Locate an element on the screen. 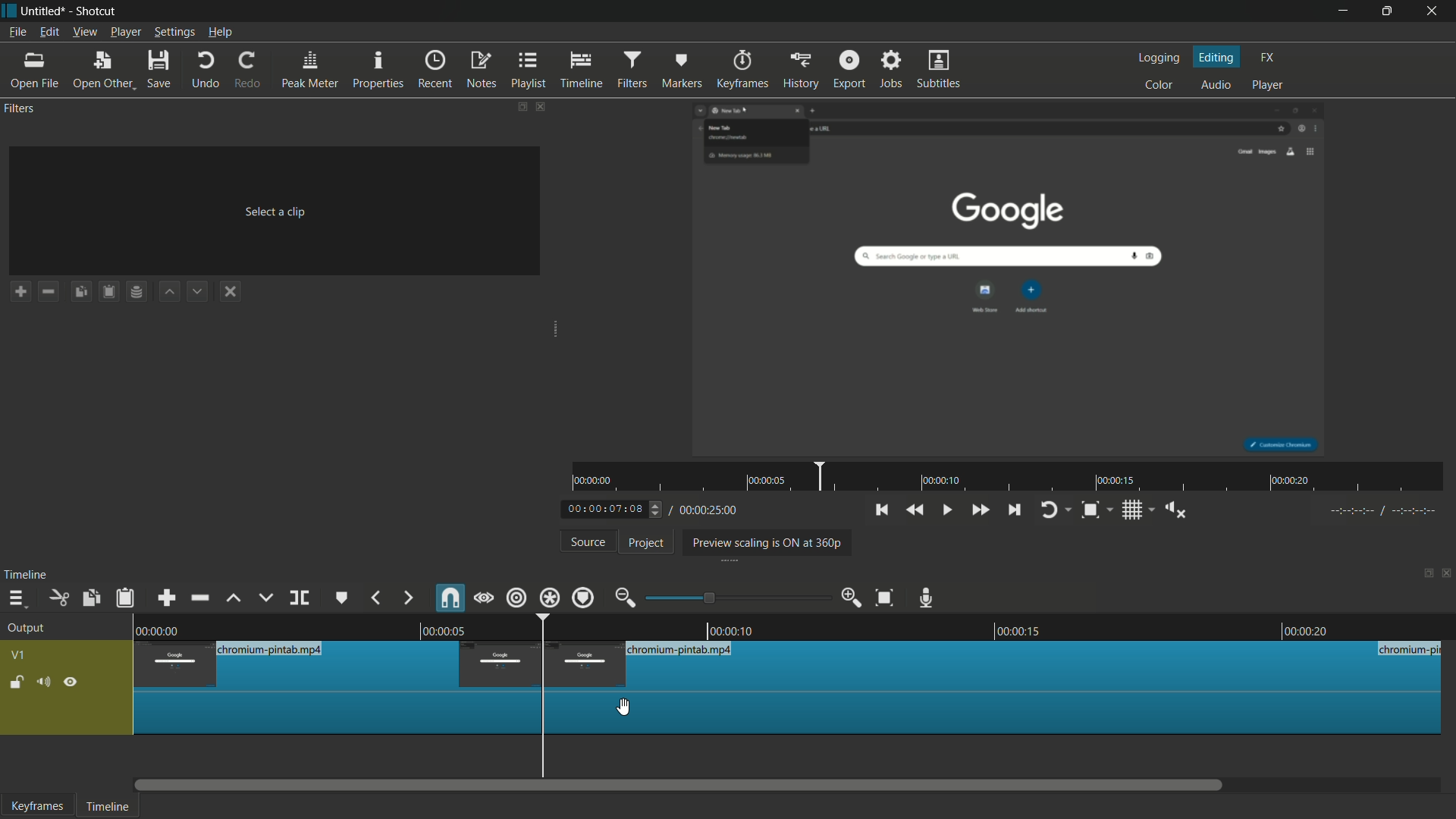 Image resolution: width=1456 pixels, height=819 pixels. keyframes is located at coordinates (37, 805).